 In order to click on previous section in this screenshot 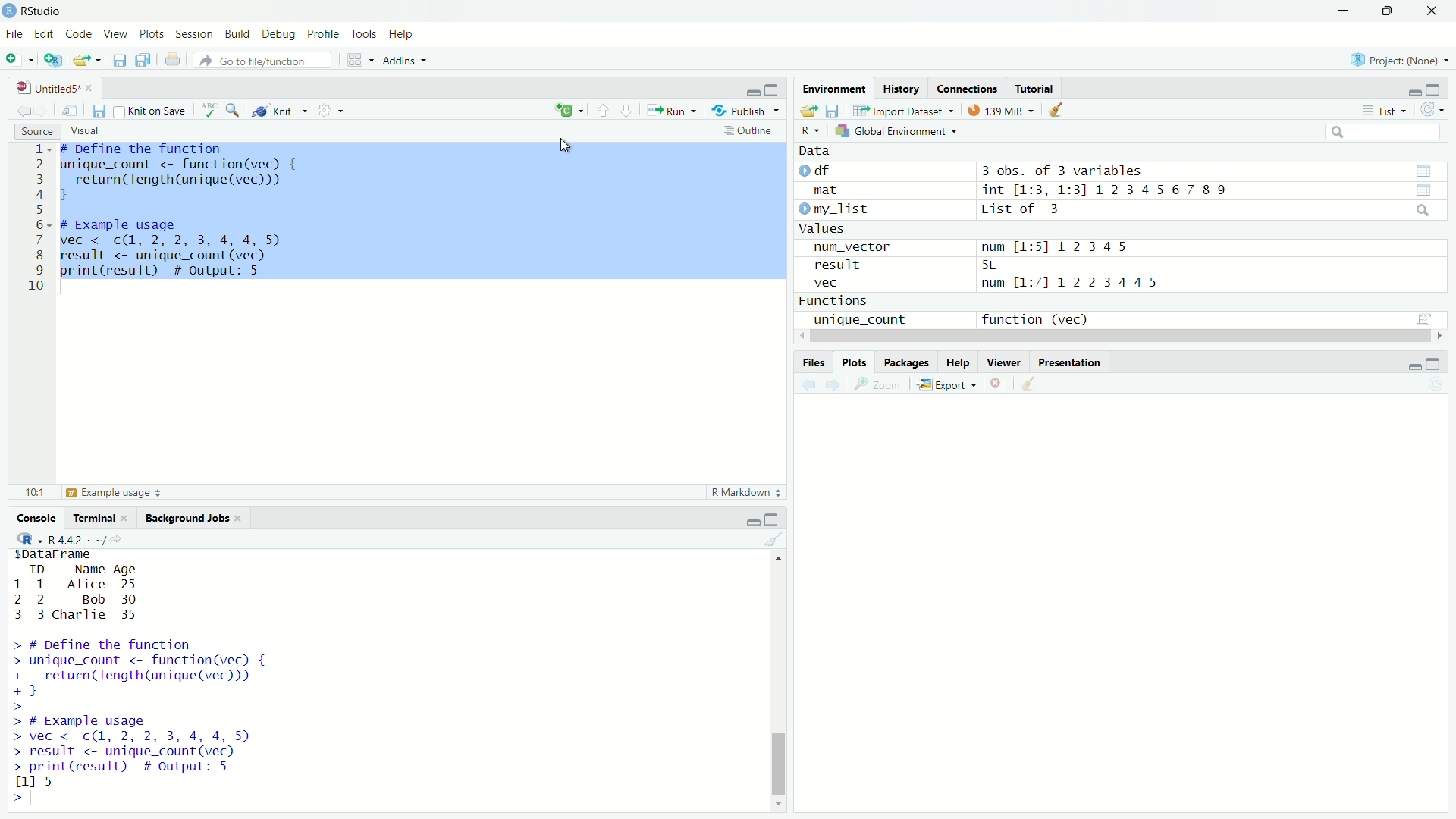, I will do `click(603, 111)`.